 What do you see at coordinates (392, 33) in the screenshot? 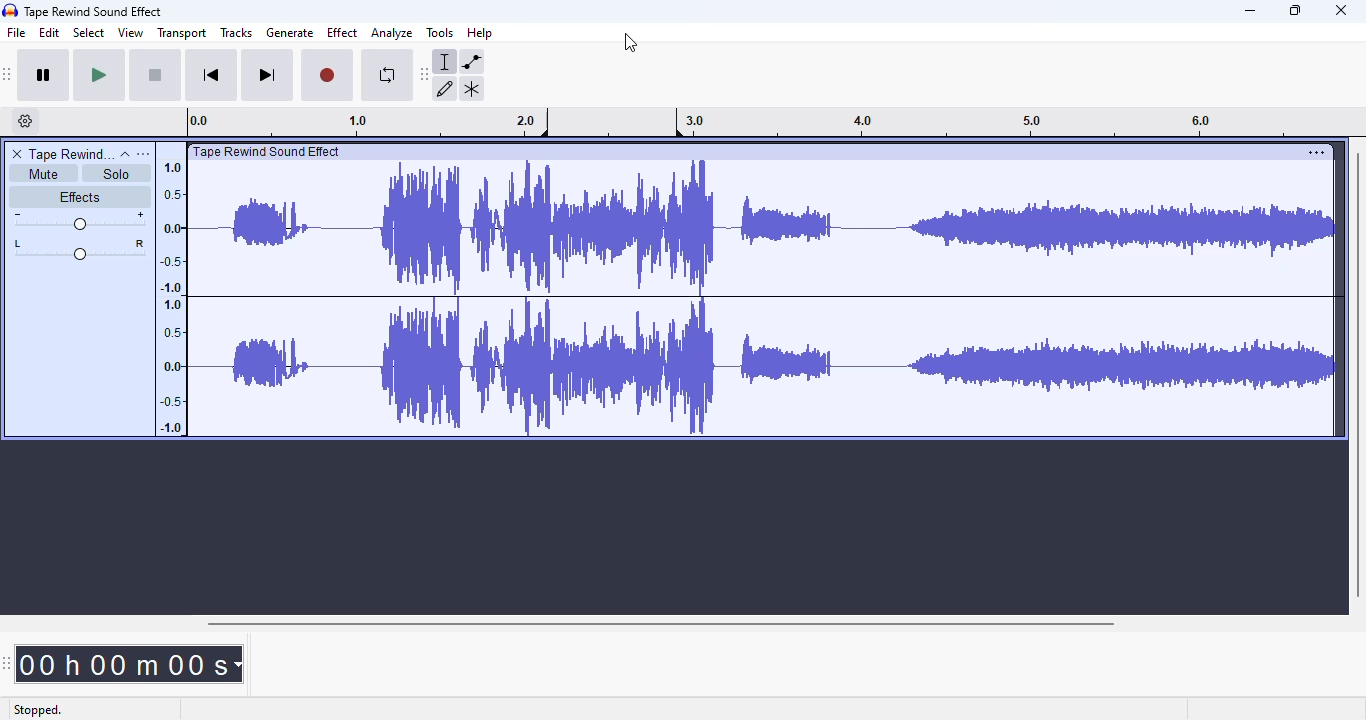
I see `analyze ` at bounding box center [392, 33].